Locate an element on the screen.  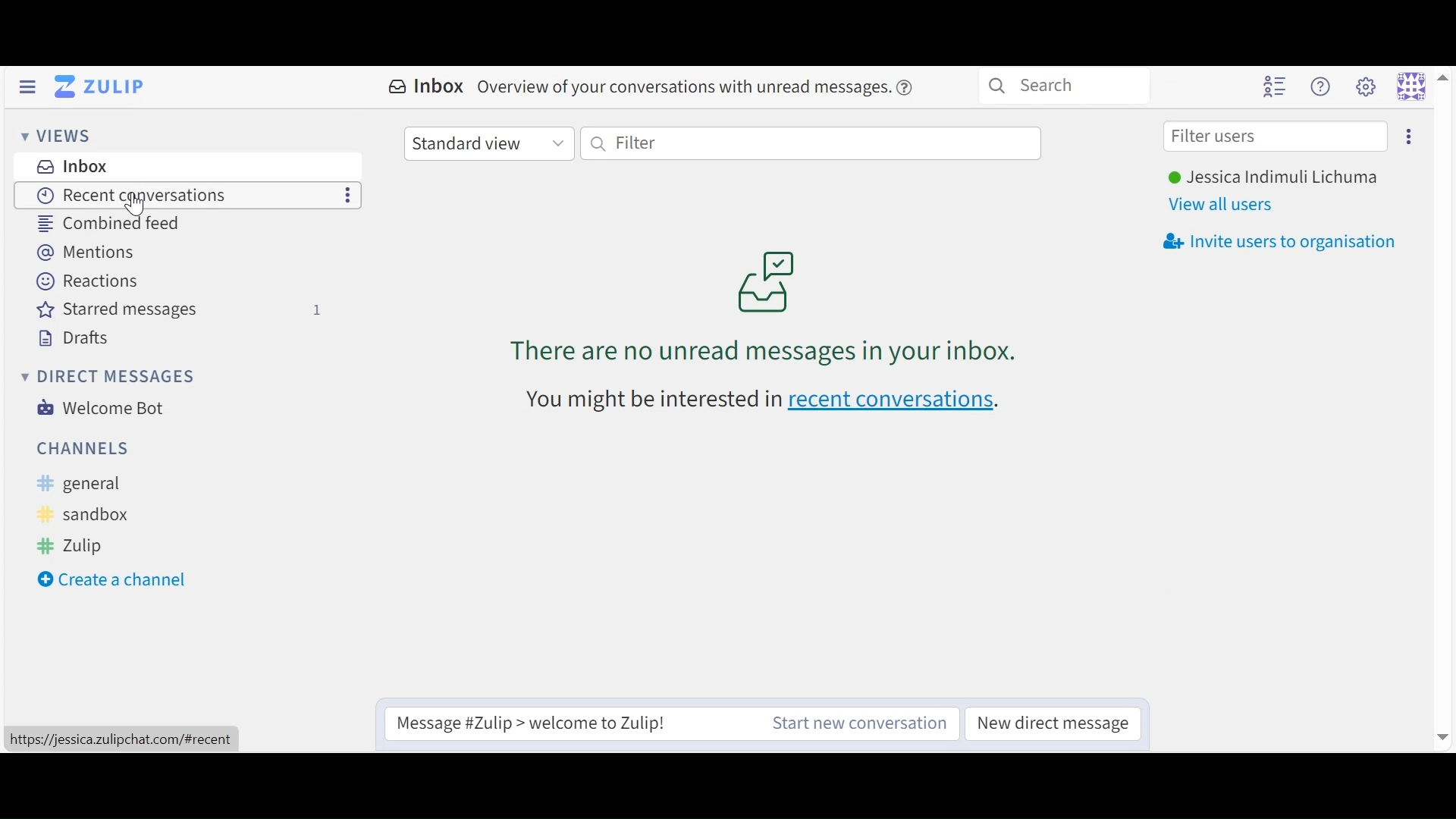
View All users is located at coordinates (1225, 204).